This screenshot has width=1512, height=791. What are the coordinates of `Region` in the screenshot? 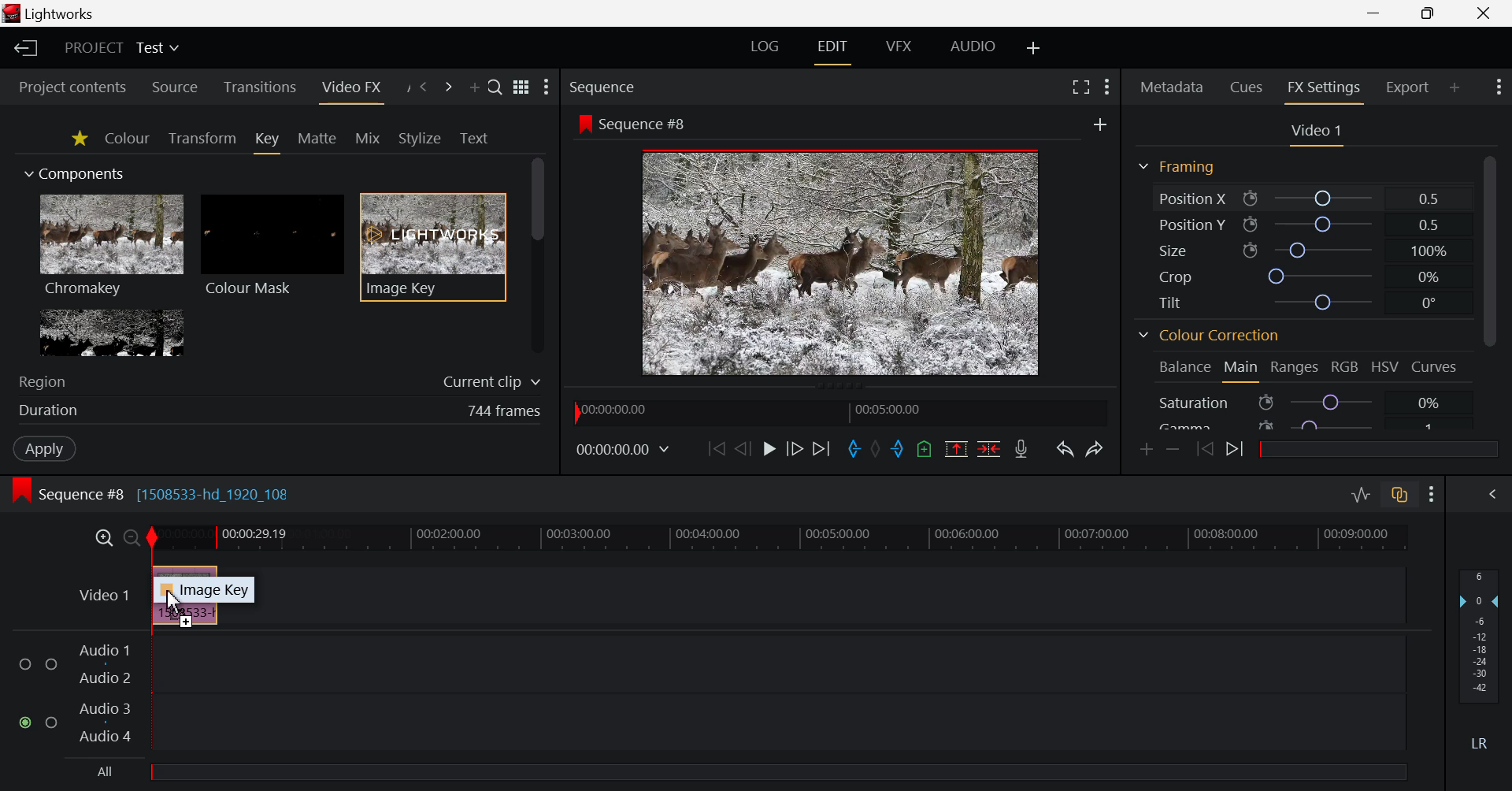 It's located at (43, 381).